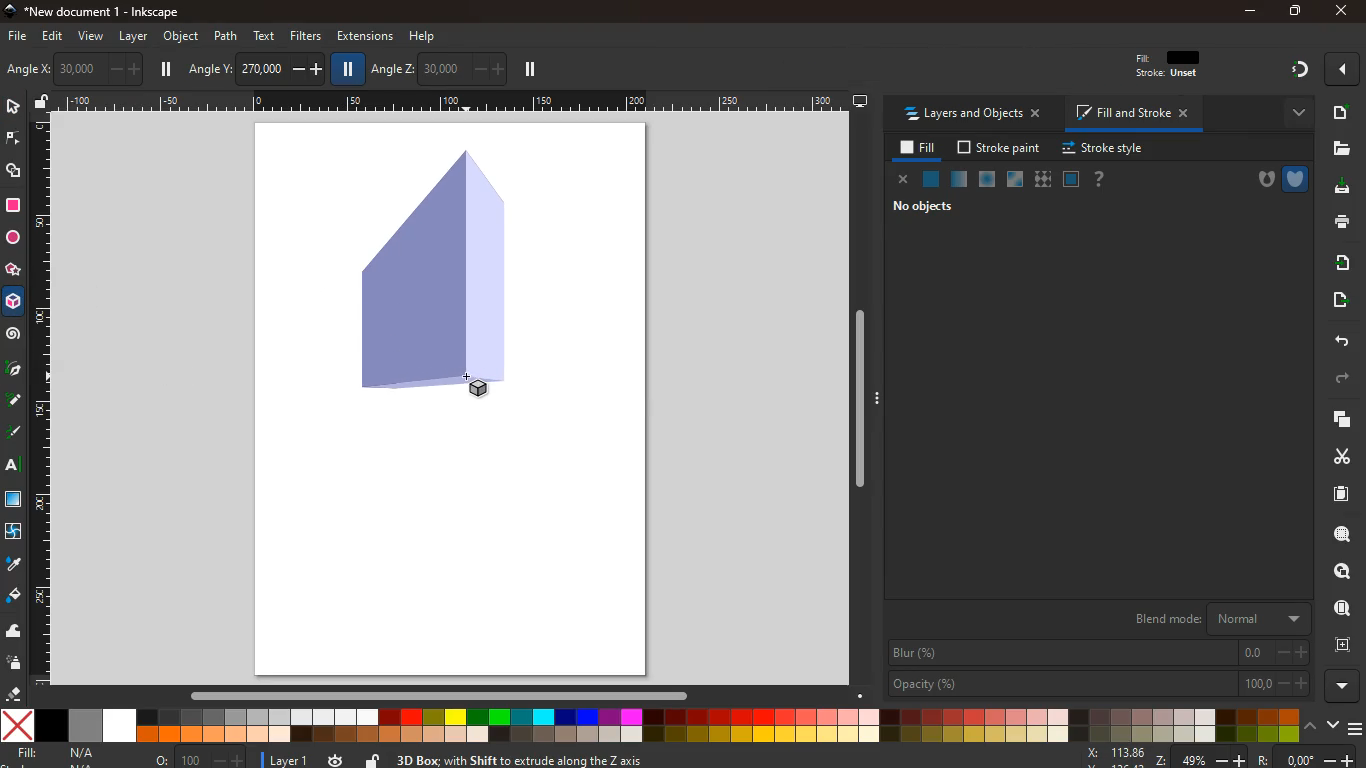 The width and height of the screenshot is (1366, 768). What do you see at coordinates (1214, 619) in the screenshot?
I see `blend mode` at bounding box center [1214, 619].